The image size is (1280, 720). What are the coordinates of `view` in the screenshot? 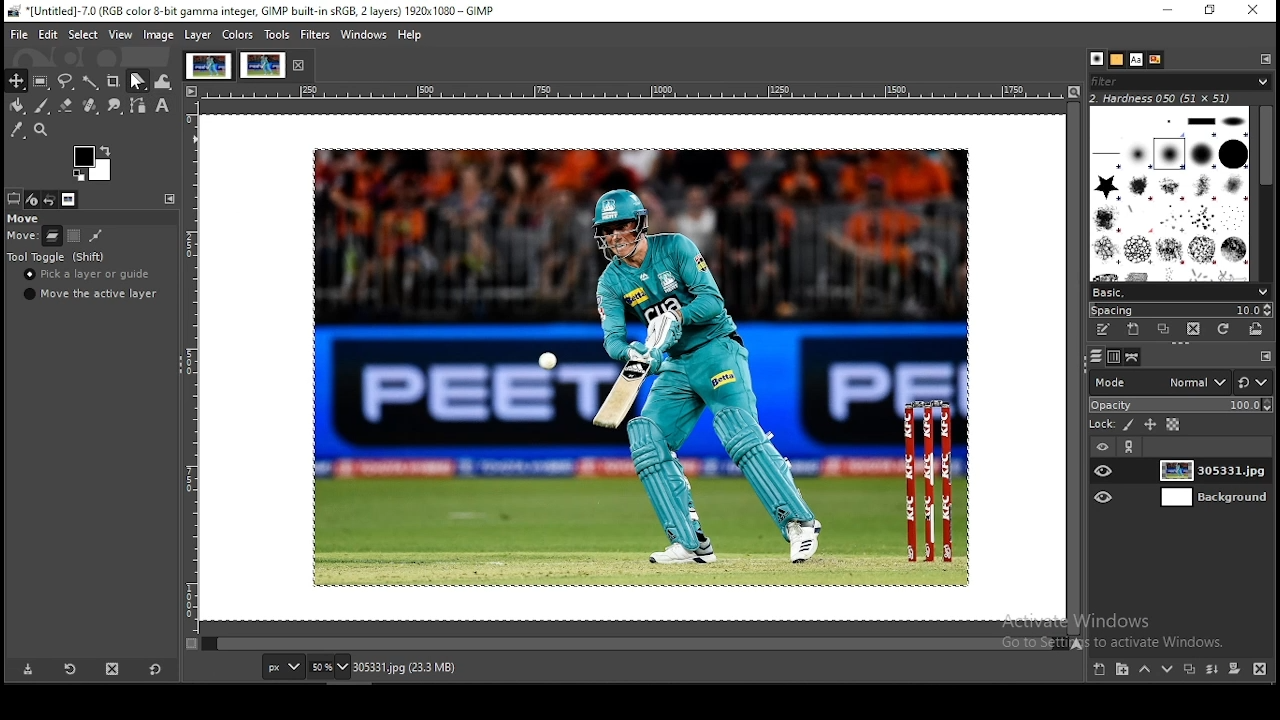 It's located at (120, 35).